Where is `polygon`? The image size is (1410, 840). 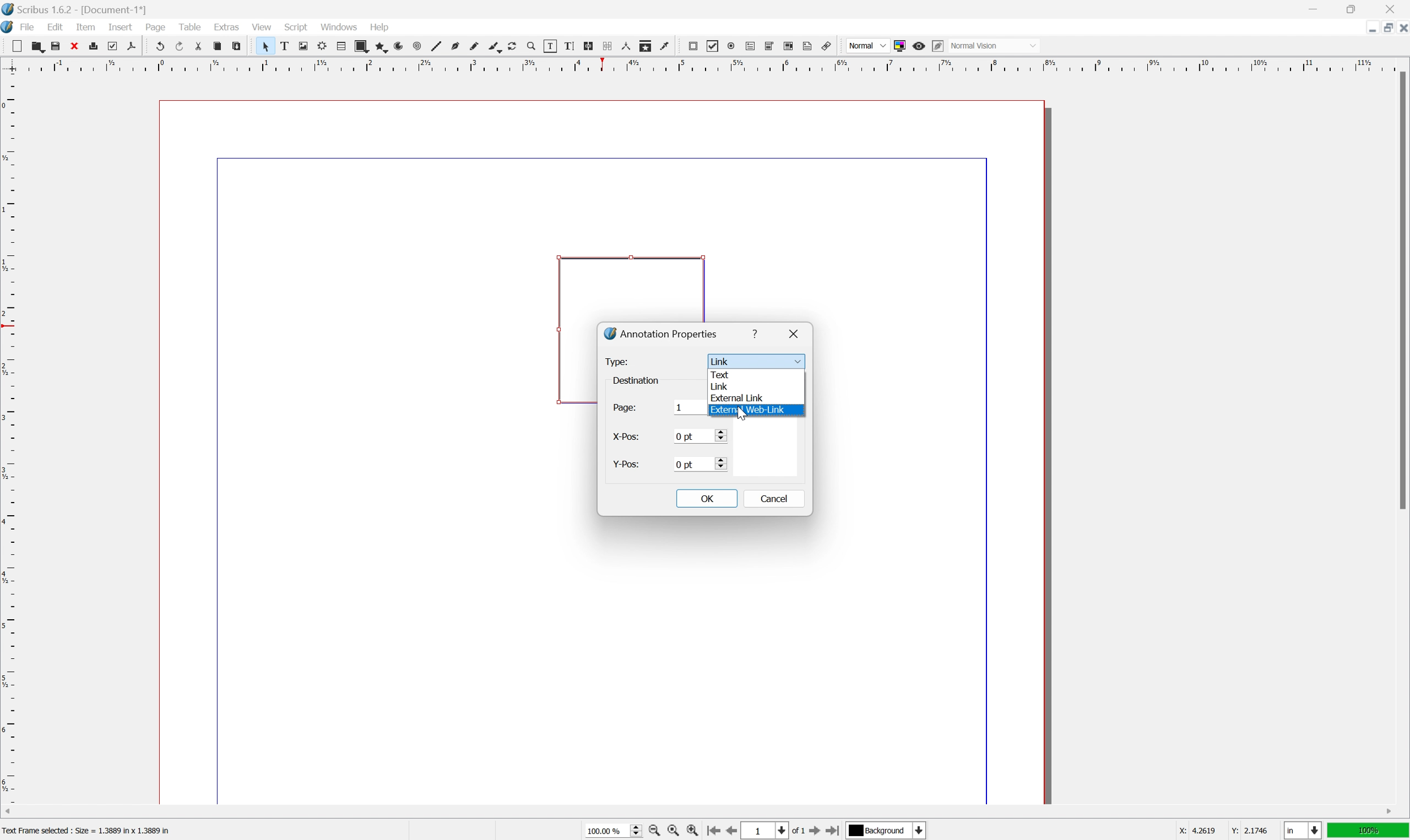 polygon is located at coordinates (380, 46).